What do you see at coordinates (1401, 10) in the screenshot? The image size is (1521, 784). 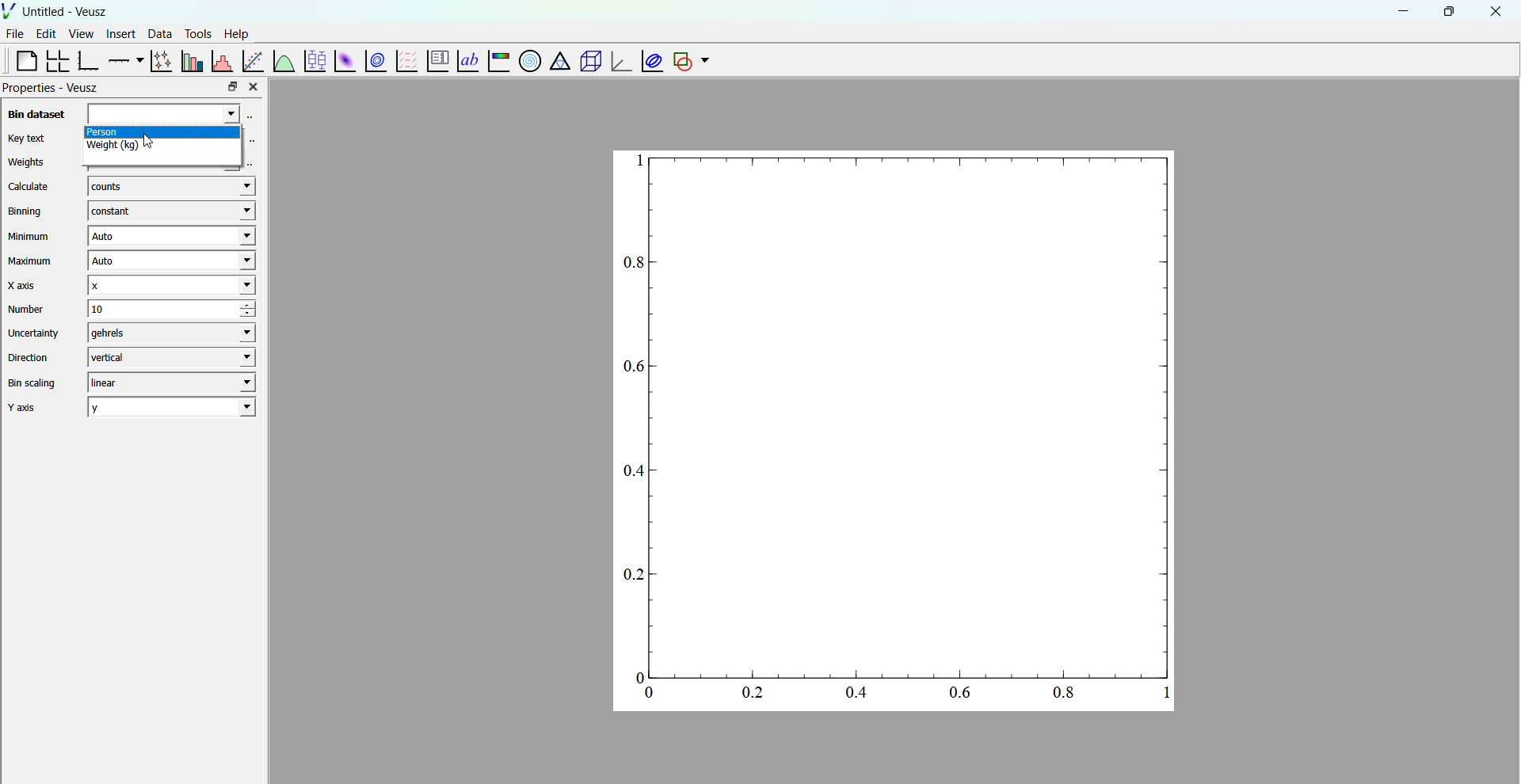 I see `minimize` at bounding box center [1401, 10].